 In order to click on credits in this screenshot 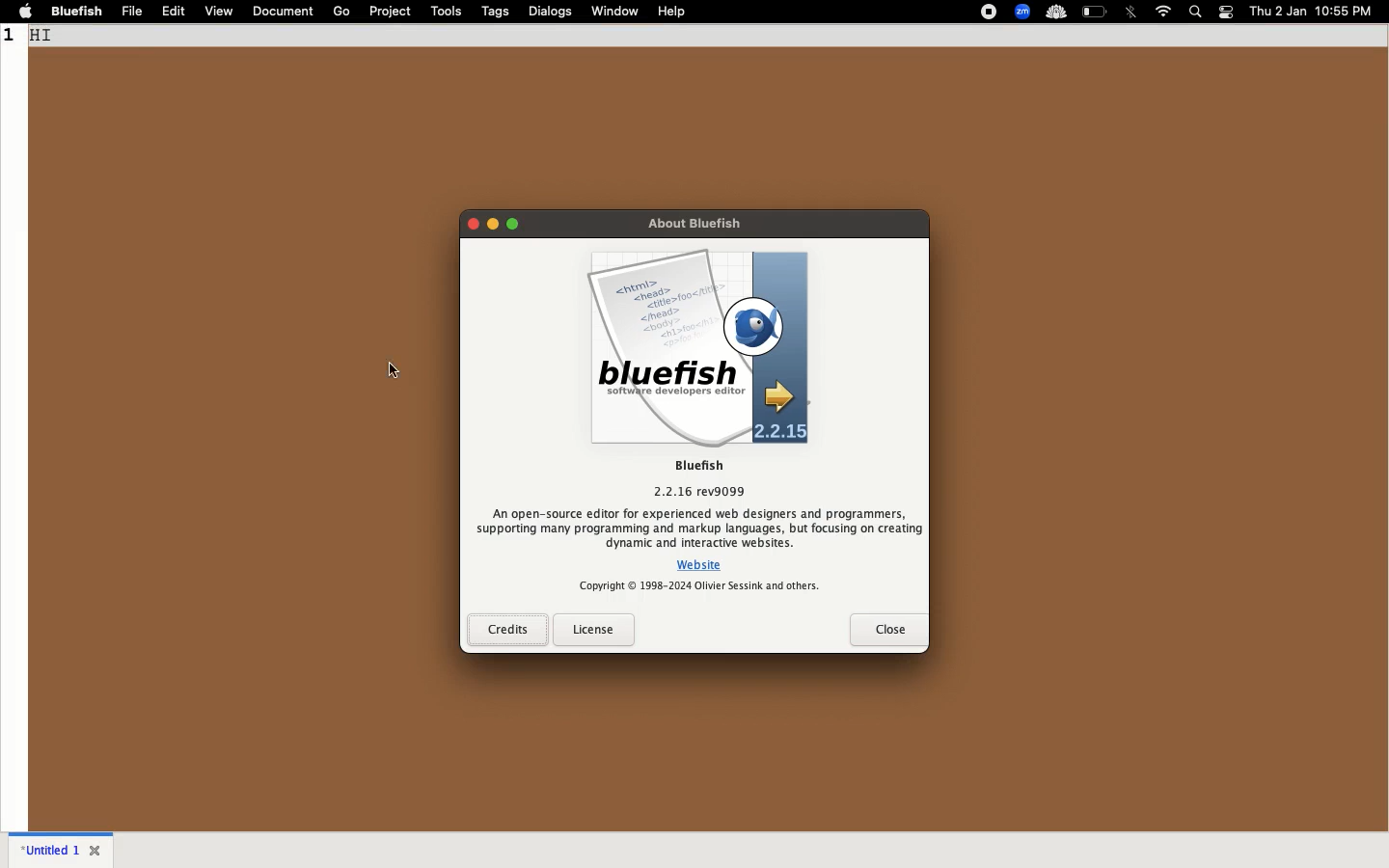, I will do `click(507, 630)`.